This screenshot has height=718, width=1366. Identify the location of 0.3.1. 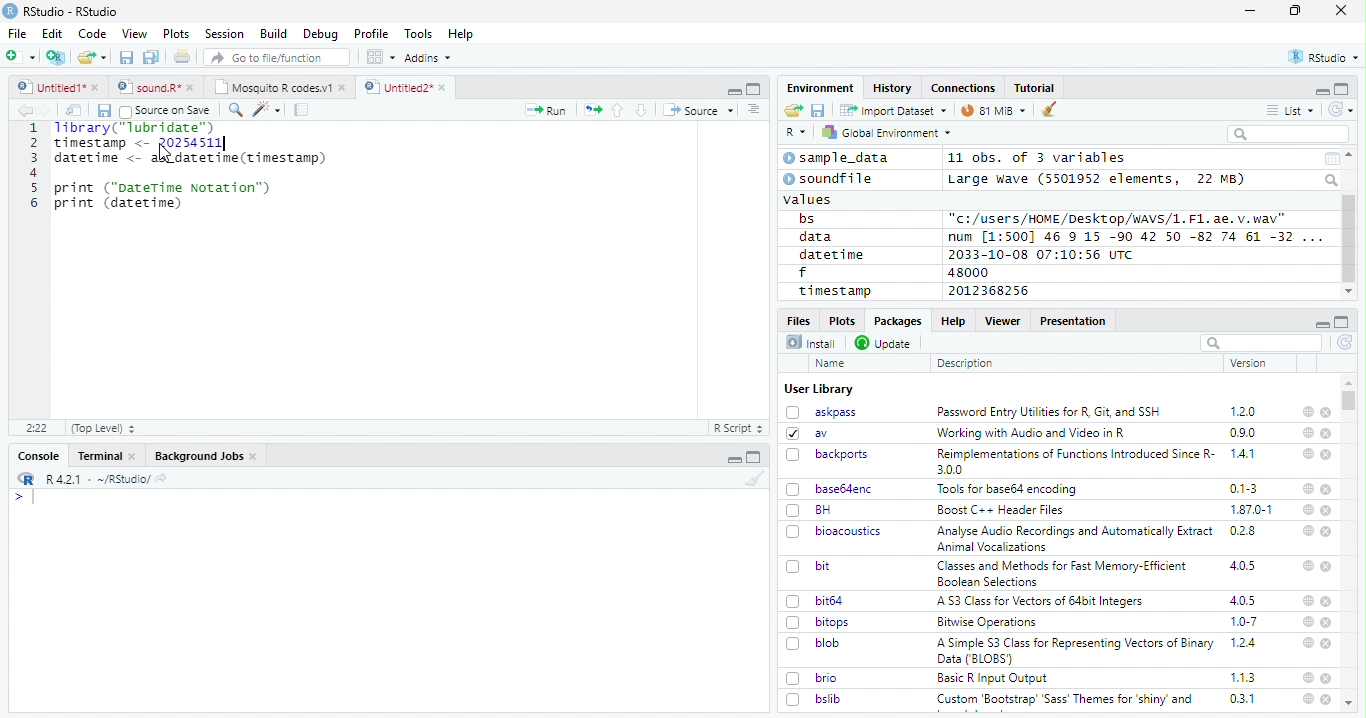
(1242, 698).